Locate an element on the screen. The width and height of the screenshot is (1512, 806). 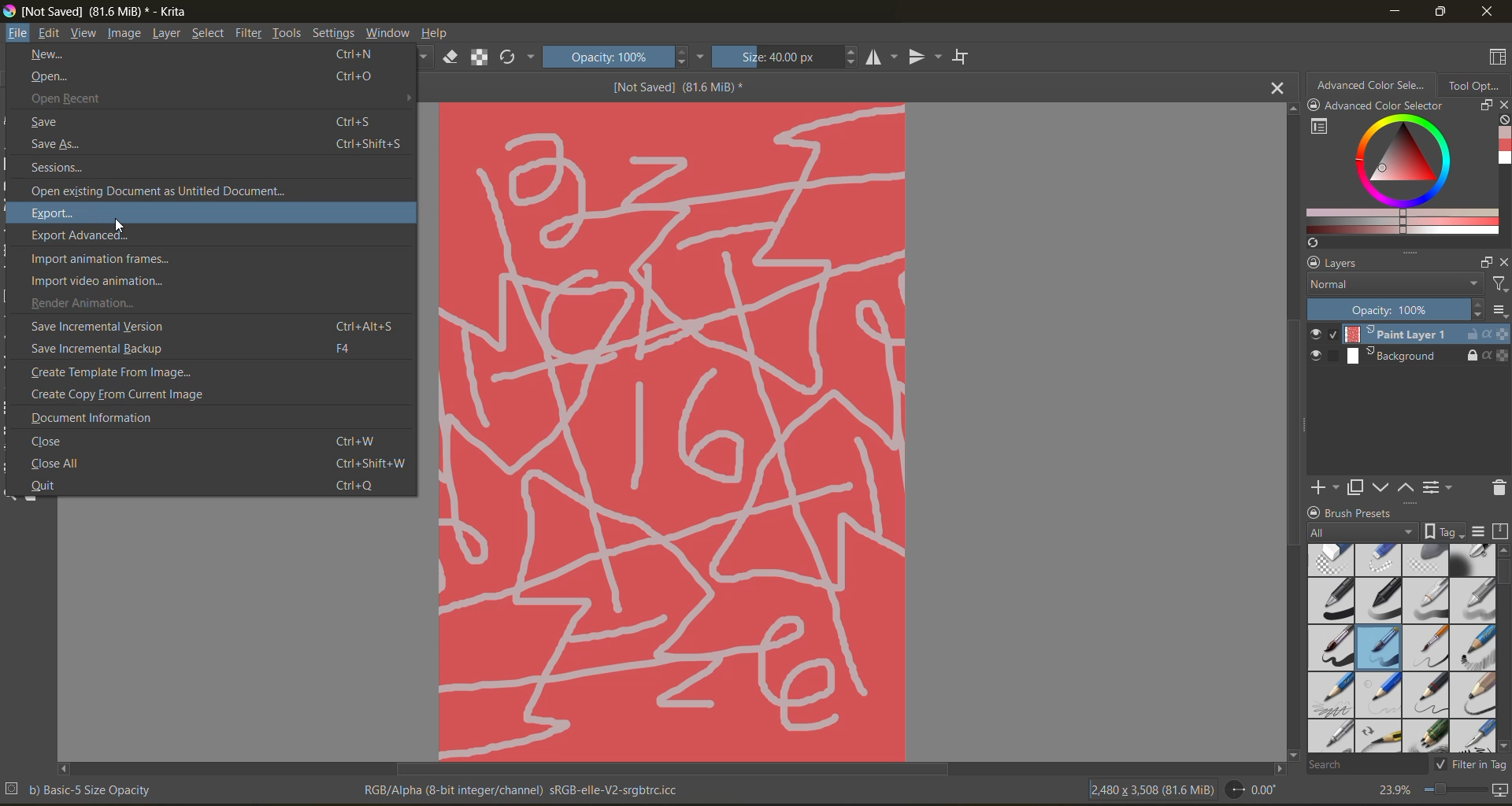
filter is located at coordinates (250, 35).